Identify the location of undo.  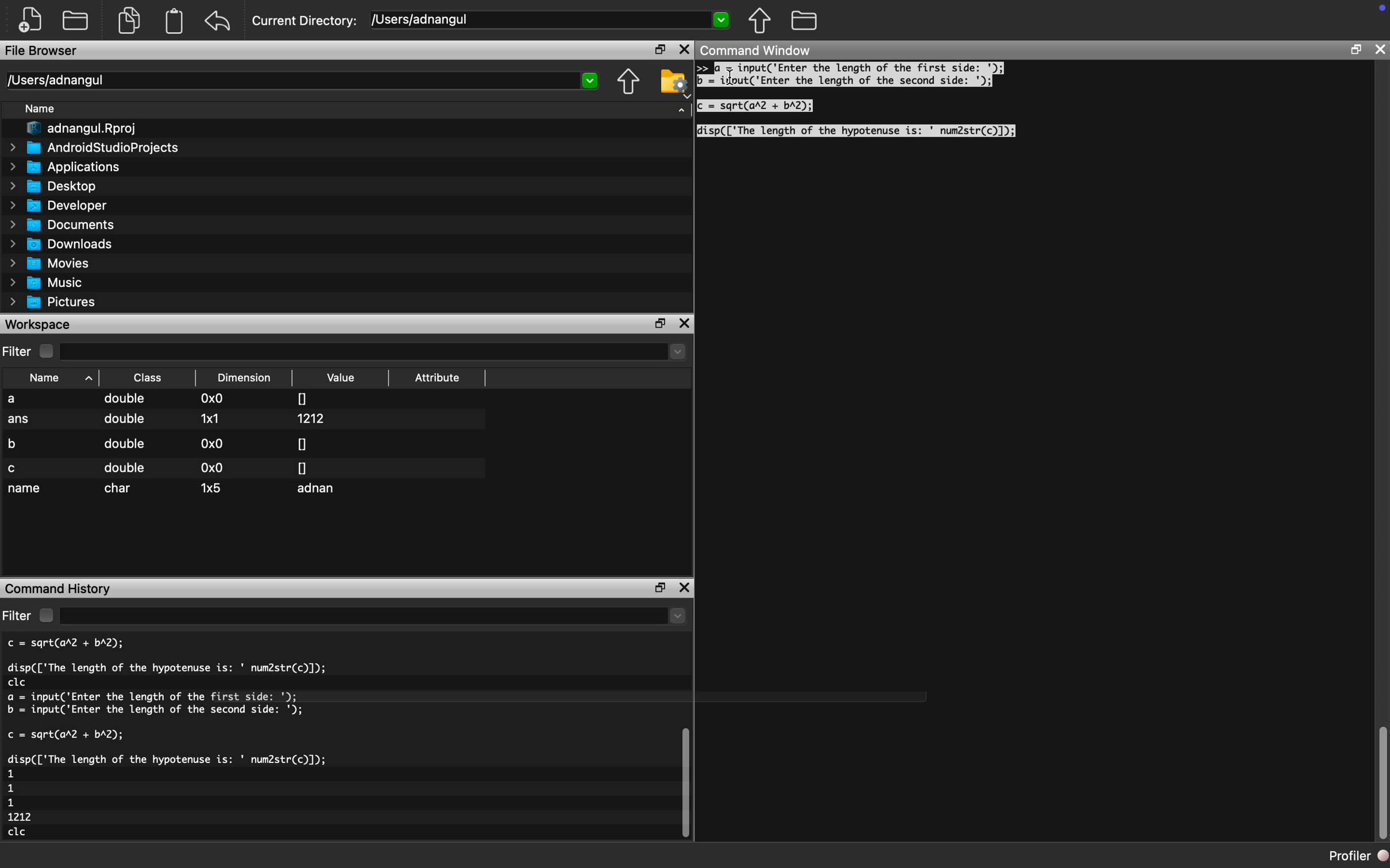
(218, 21).